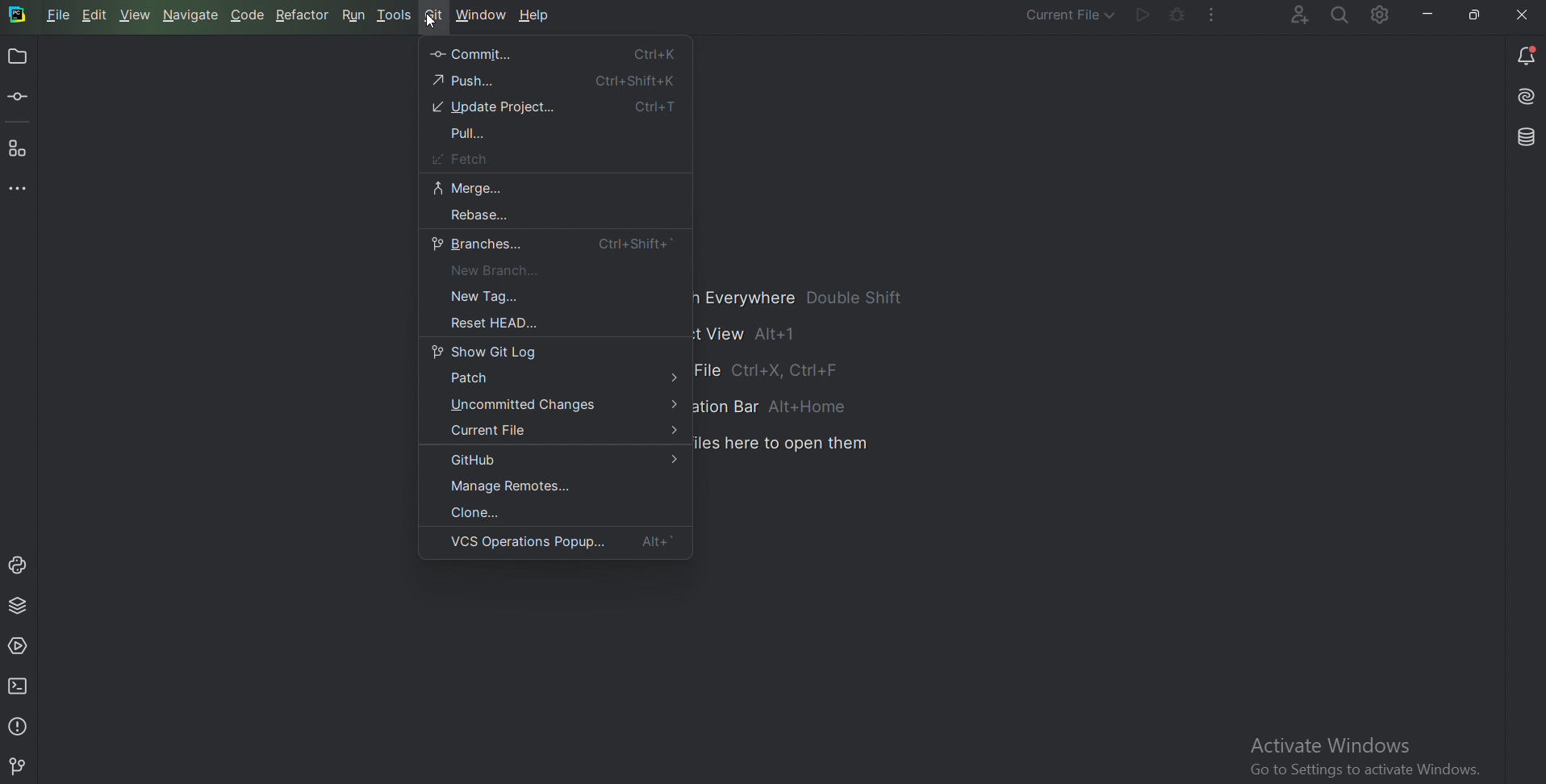 The width and height of the screenshot is (1546, 784). Describe the element at coordinates (1172, 16) in the screenshot. I see `Debug` at that location.